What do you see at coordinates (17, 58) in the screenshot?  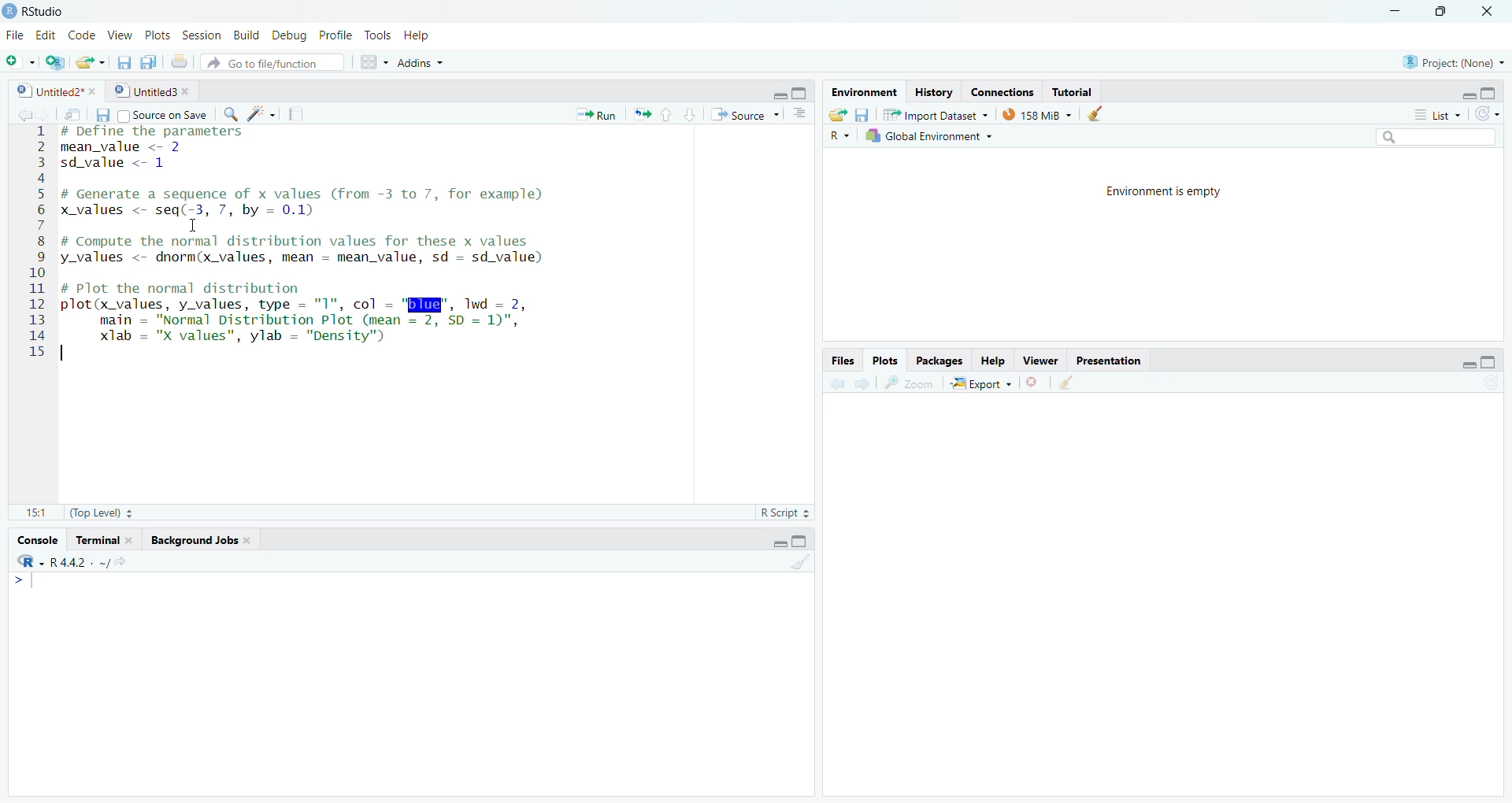 I see `New file` at bounding box center [17, 58].